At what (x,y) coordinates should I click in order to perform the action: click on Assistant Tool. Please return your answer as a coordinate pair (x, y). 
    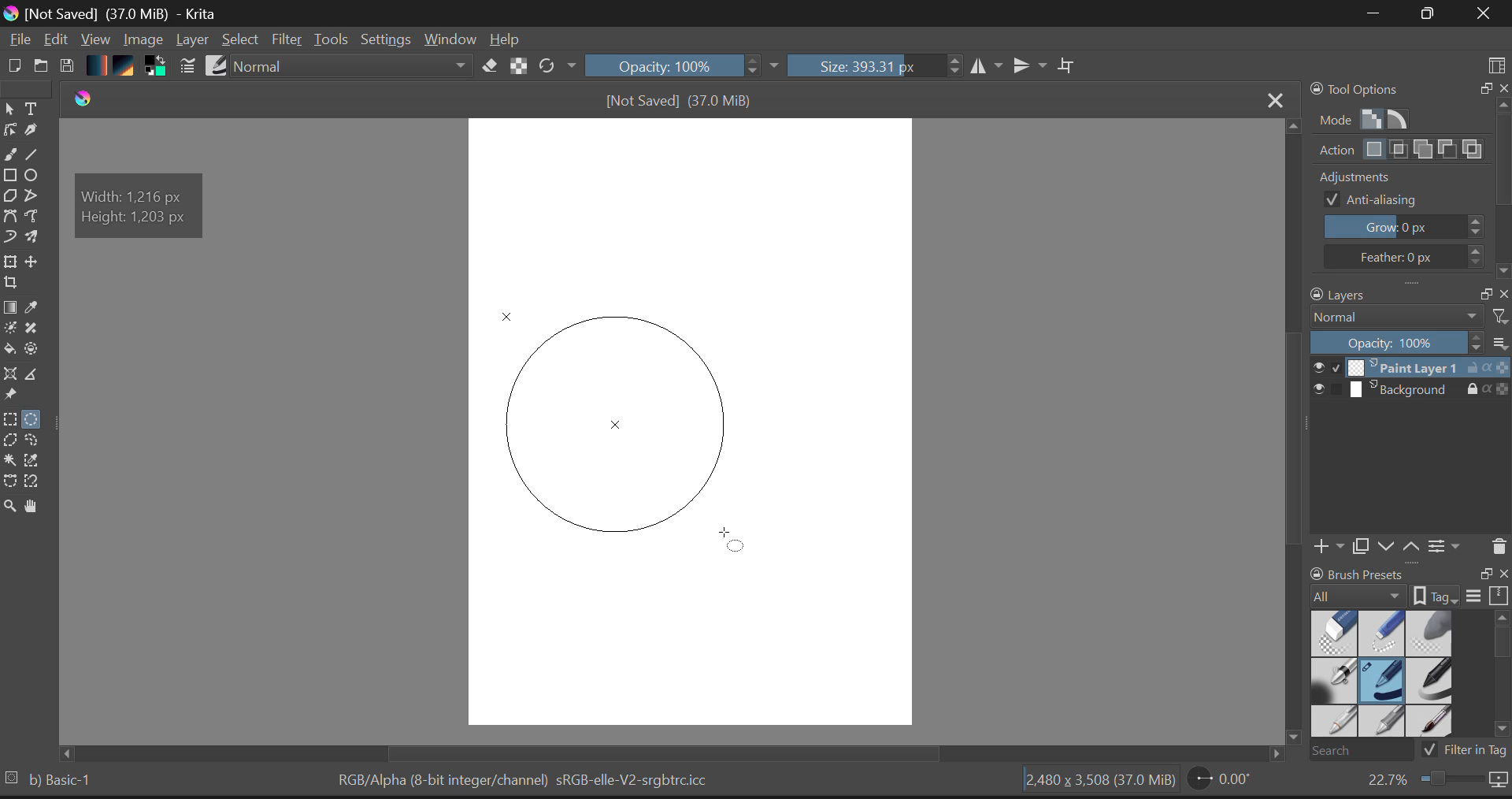
    Looking at the image, I should click on (13, 372).